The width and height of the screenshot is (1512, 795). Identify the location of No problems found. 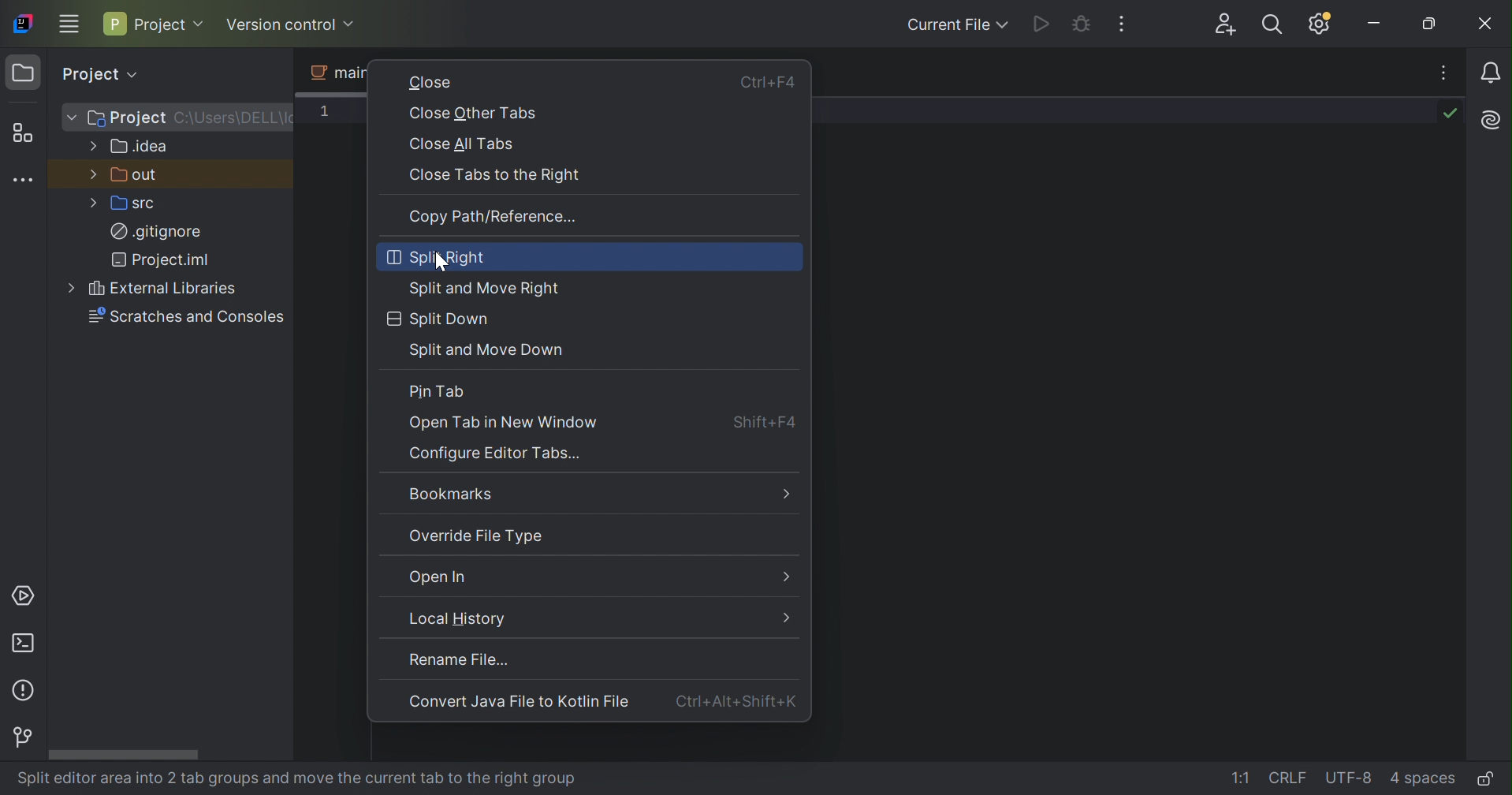
(1450, 112).